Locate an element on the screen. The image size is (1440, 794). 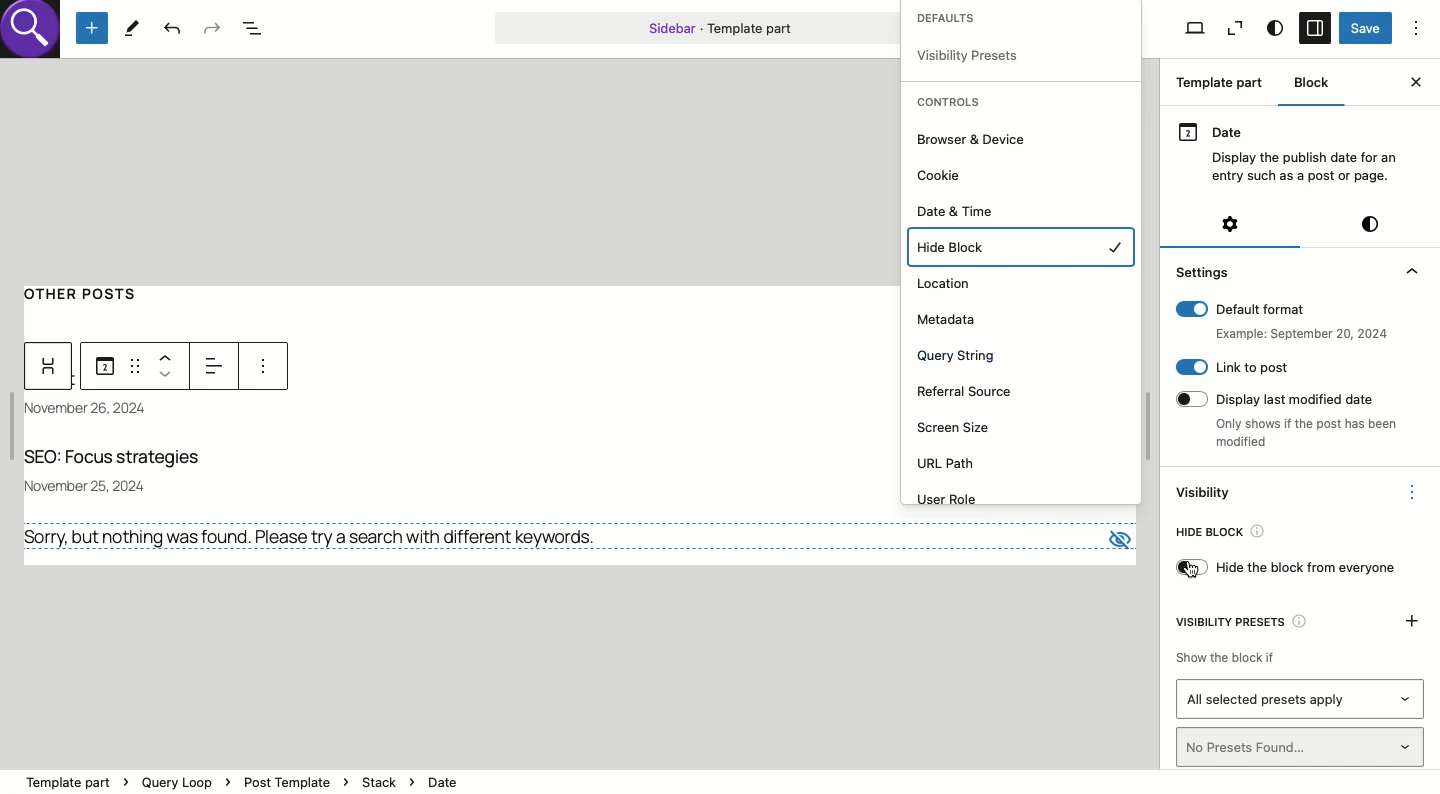
Style is located at coordinates (1370, 224).